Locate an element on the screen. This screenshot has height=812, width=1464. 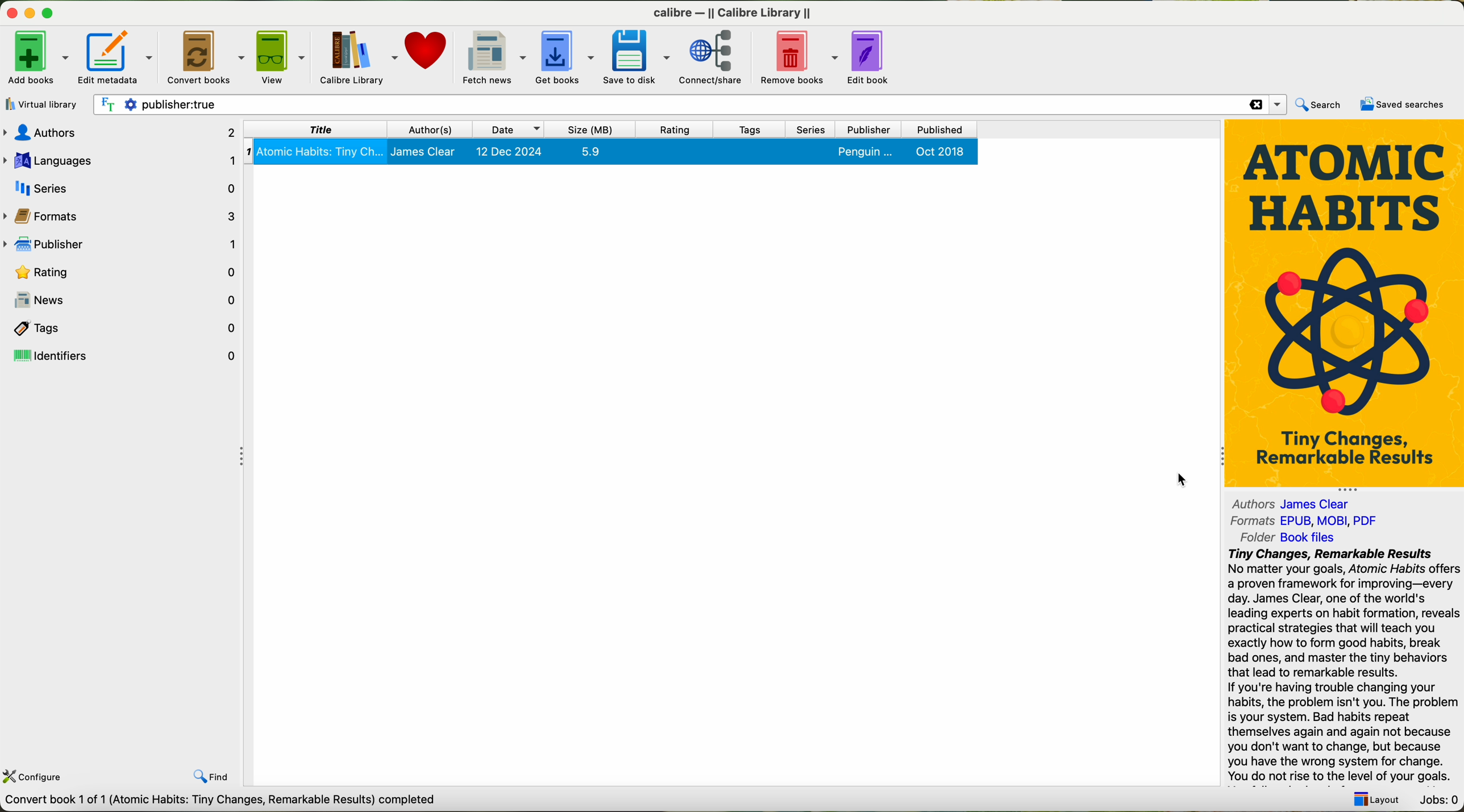
folder is located at coordinates (1286, 539).